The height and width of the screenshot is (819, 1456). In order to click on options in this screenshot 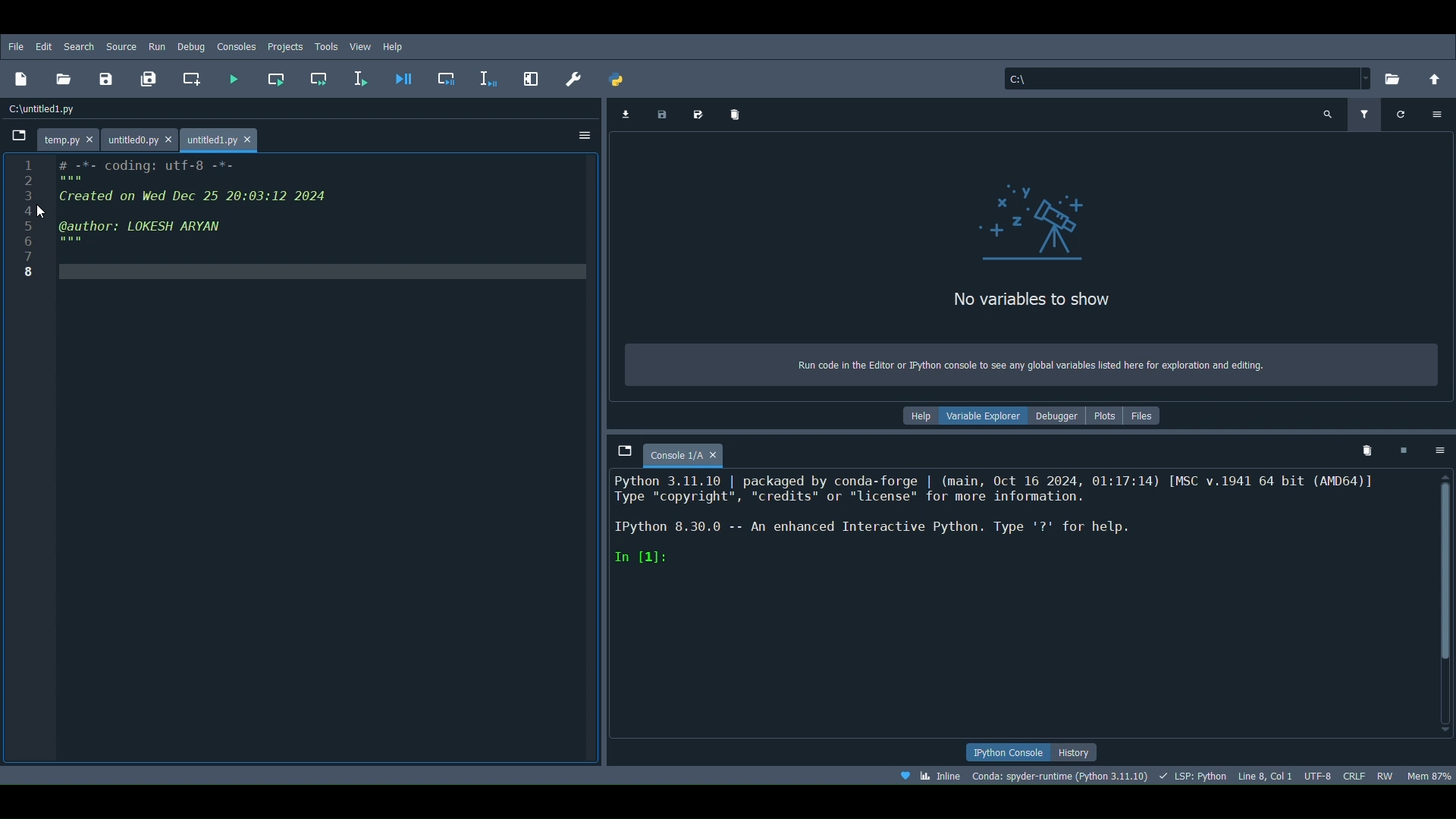, I will do `click(1432, 114)`.